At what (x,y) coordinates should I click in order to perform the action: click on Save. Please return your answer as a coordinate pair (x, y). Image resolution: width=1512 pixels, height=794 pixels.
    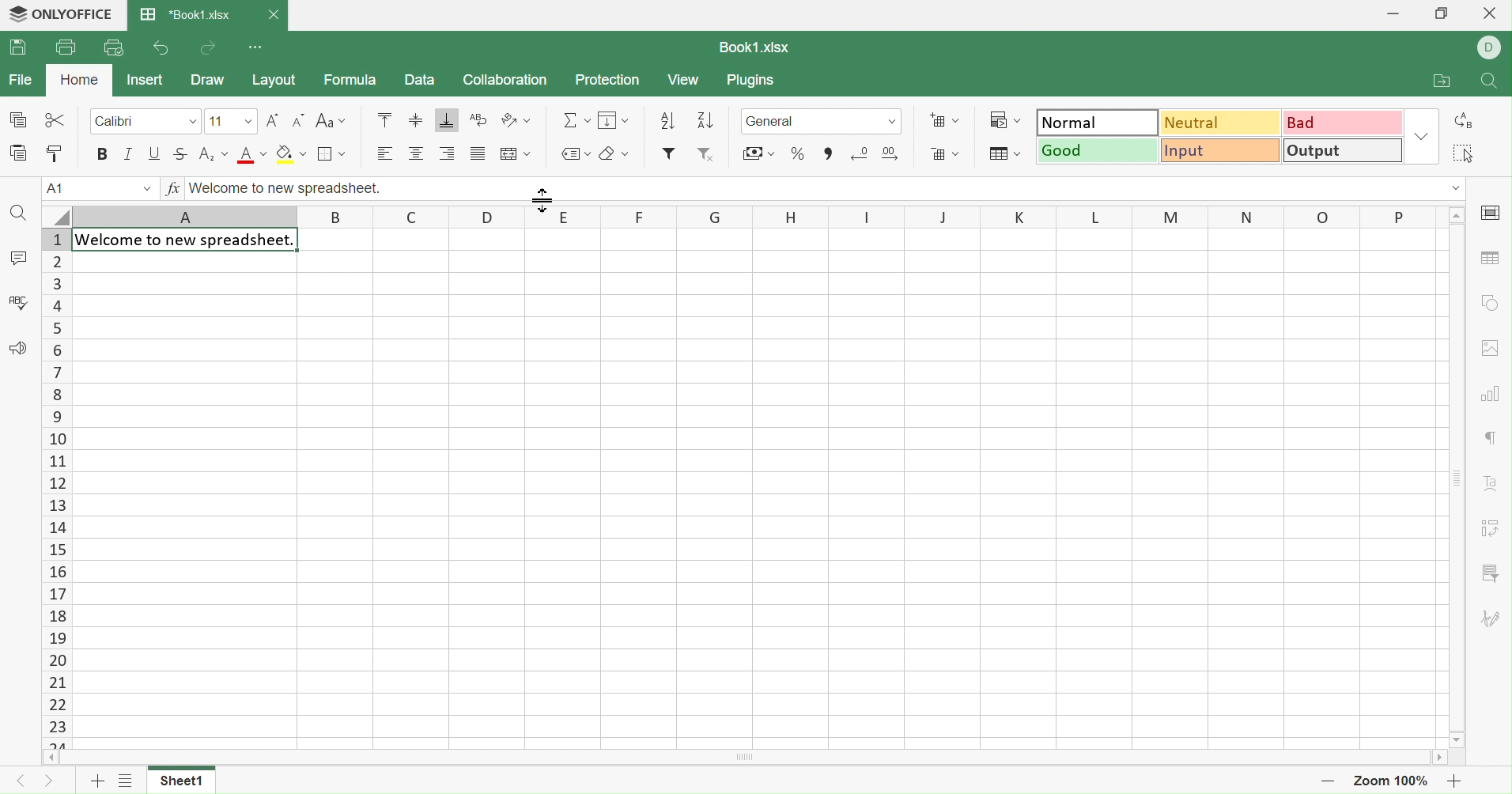
    Looking at the image, I should click on (19, 49).